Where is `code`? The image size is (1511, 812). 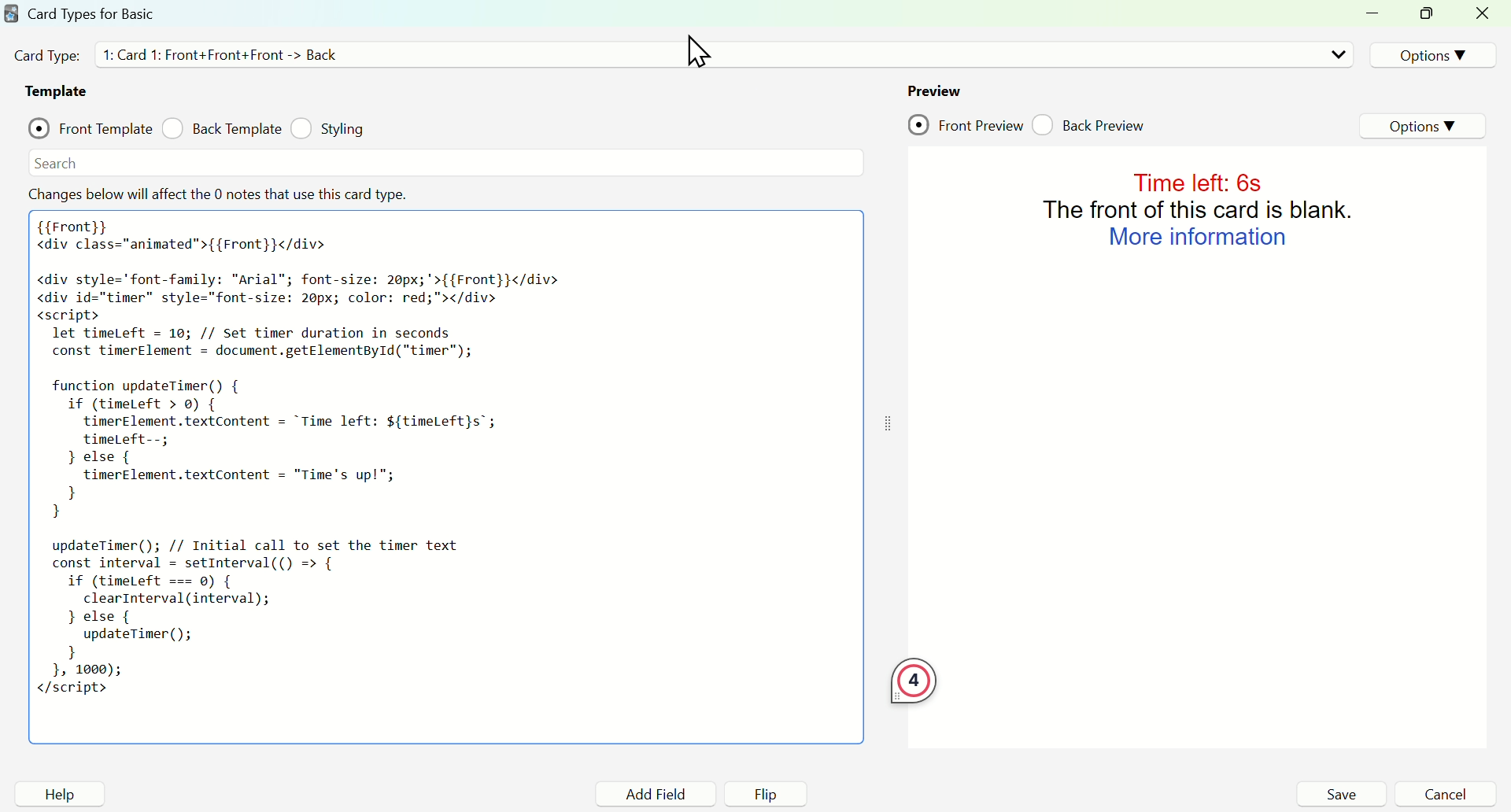
code is located at coordinates (301, 463).